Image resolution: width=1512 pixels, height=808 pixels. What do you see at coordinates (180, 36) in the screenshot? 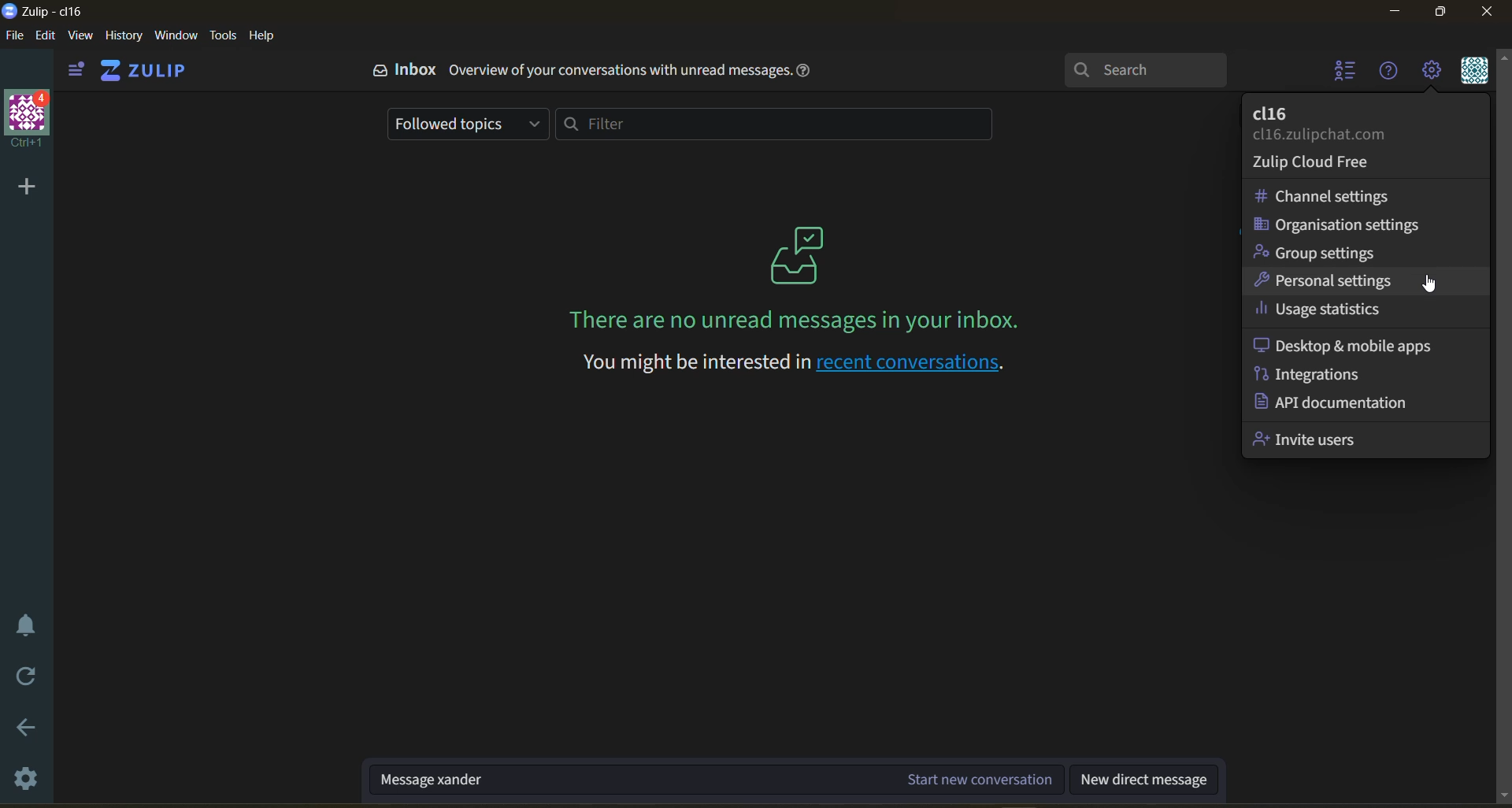
I see `window` at bounding box center [180, 36].